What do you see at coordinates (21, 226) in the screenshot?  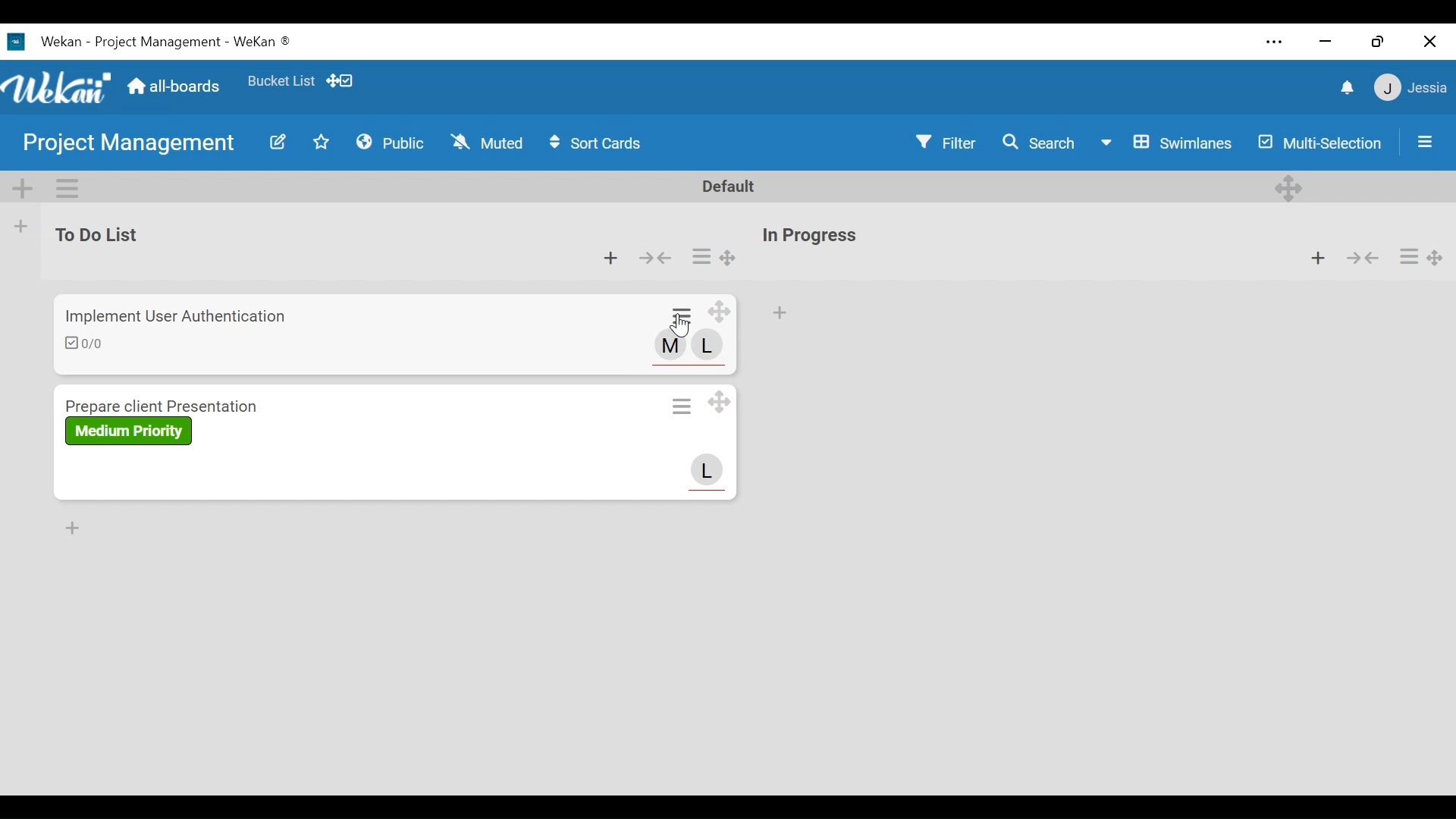 I see `Add list` at bounding box center [21, 226].